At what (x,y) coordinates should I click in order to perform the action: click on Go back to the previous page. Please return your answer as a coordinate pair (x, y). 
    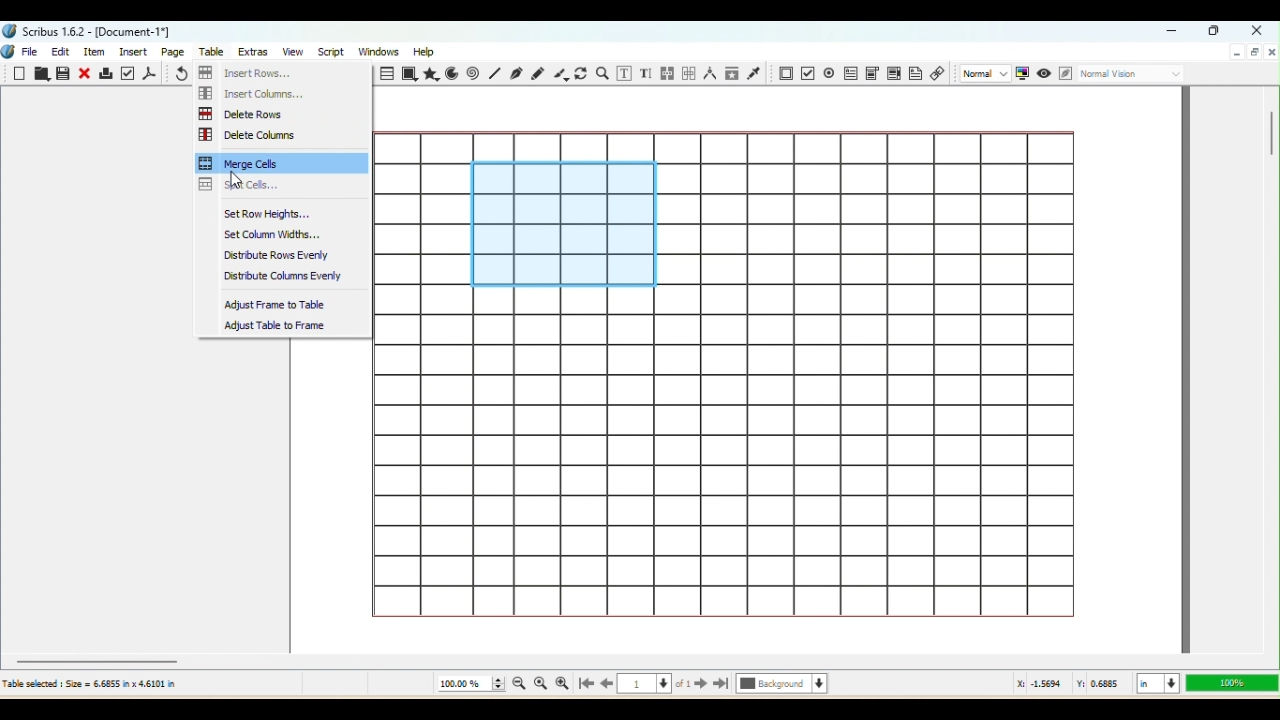
    Looking at the image, I should click on (607, 685).